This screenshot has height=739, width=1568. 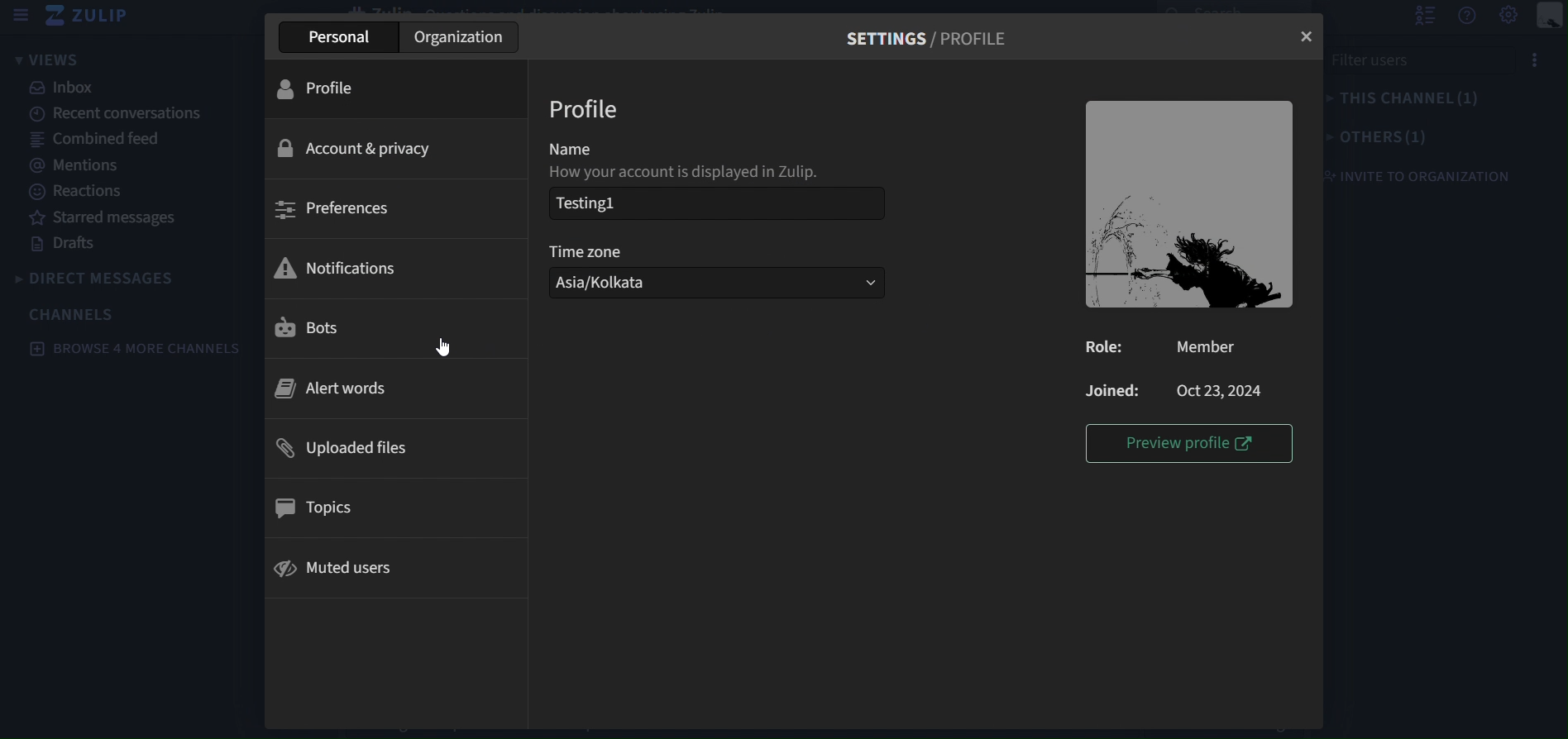 What do you see at coordinates (138, 348) in the screenshot?
I see `browse 4 more channels` at bounding box center [138, 348].